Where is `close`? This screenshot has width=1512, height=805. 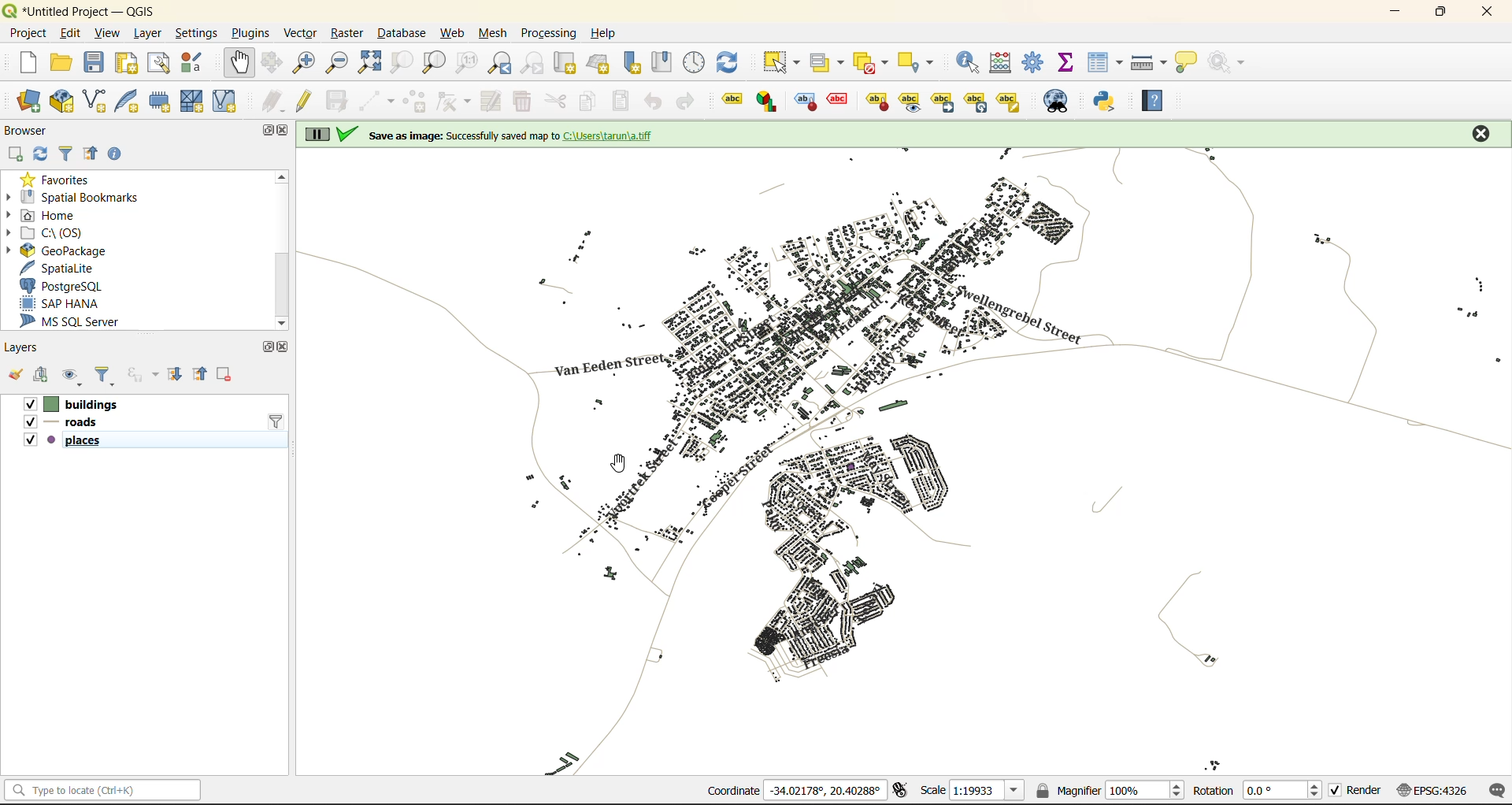
close is located at coordinates (1487, 11).